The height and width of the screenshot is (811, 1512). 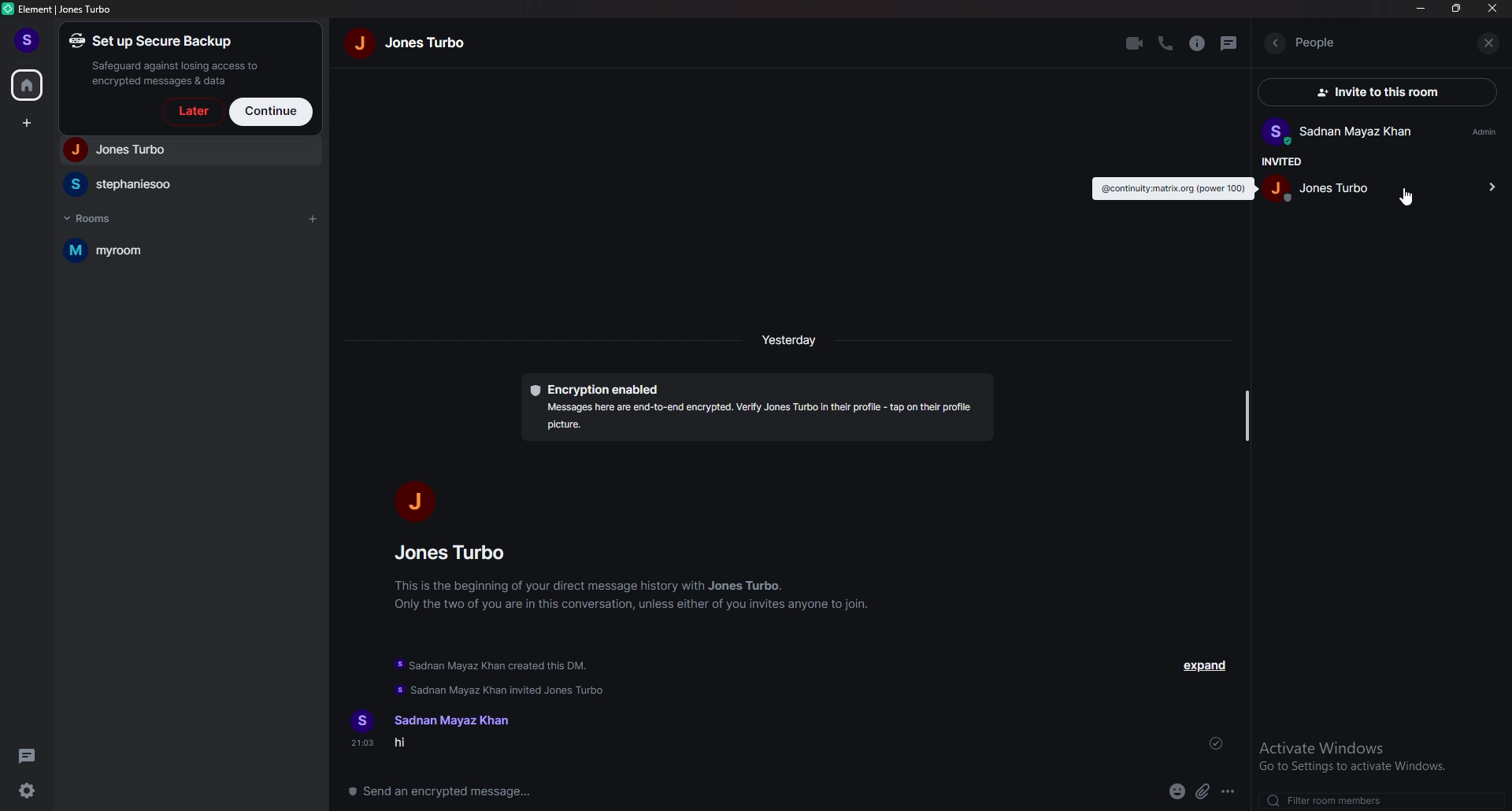 What do you see at coordinates (791, 339) in the screenshot?
I see `time` at bounding box center [791, 339].